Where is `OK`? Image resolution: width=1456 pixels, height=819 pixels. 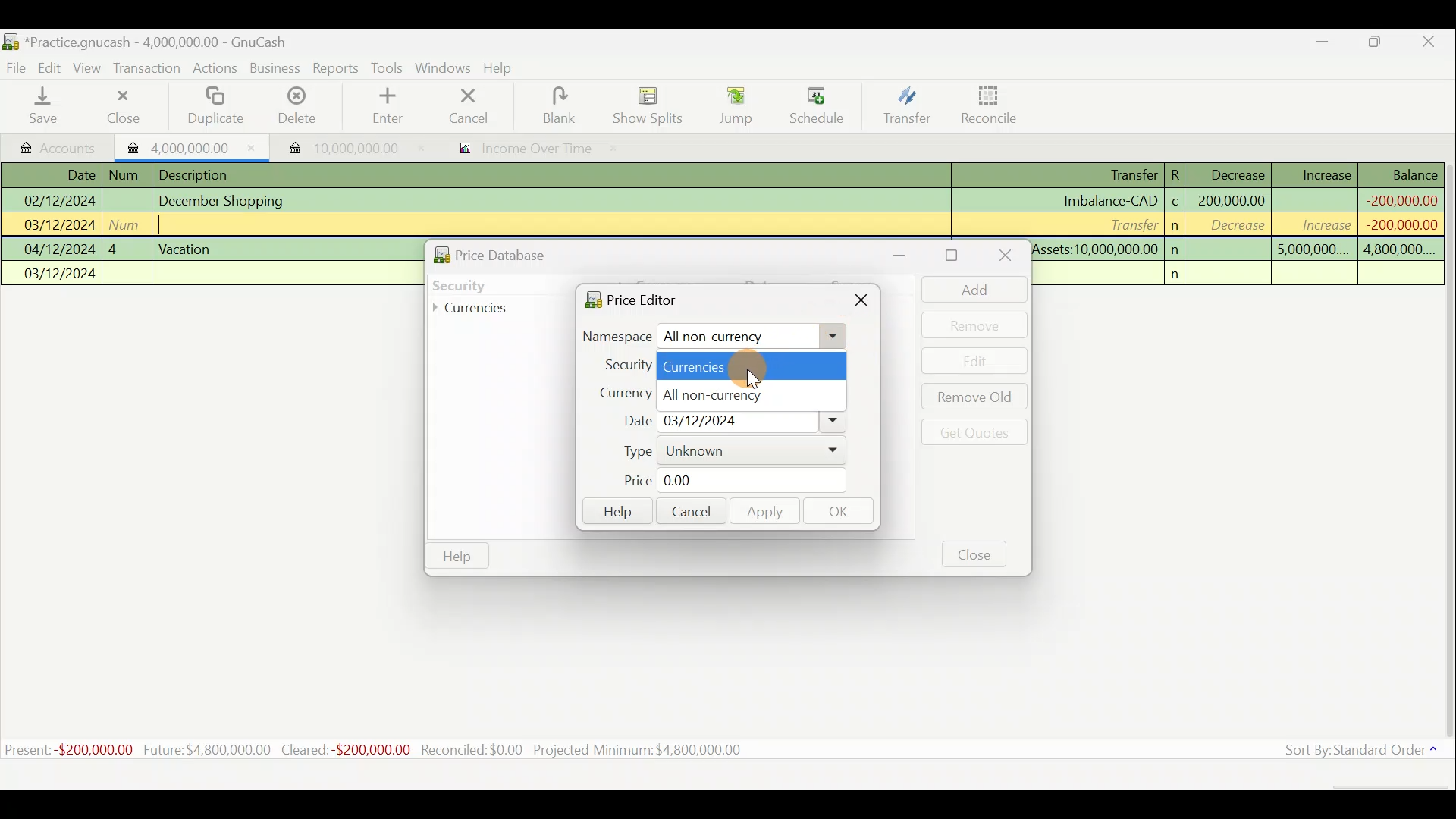 OK is located at coordinates (843, 513).